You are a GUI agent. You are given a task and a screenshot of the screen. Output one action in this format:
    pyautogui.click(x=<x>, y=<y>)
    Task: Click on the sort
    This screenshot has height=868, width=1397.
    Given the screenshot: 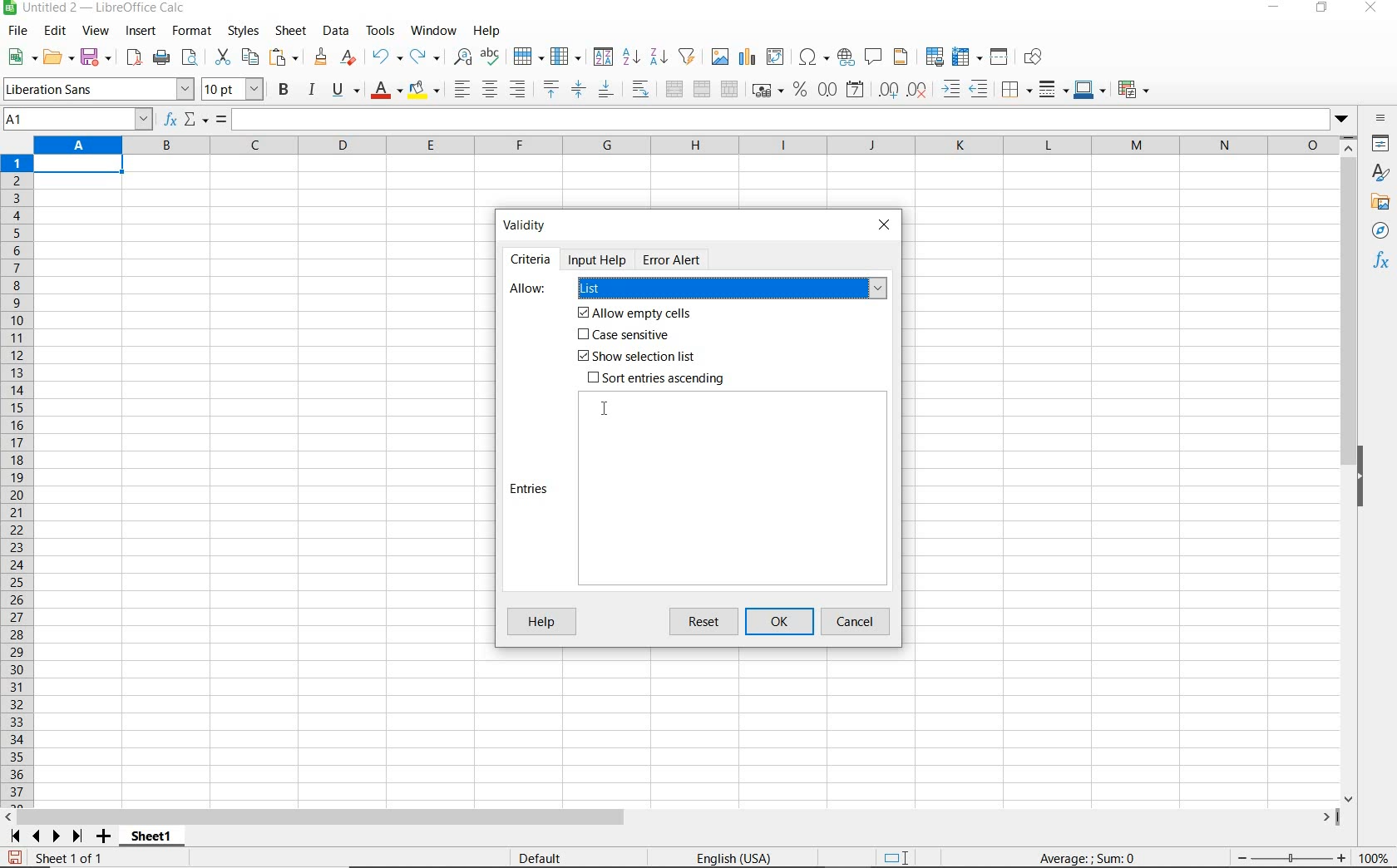 What is the action you would take?
    pyautogui.click(x=603, y=58)
    